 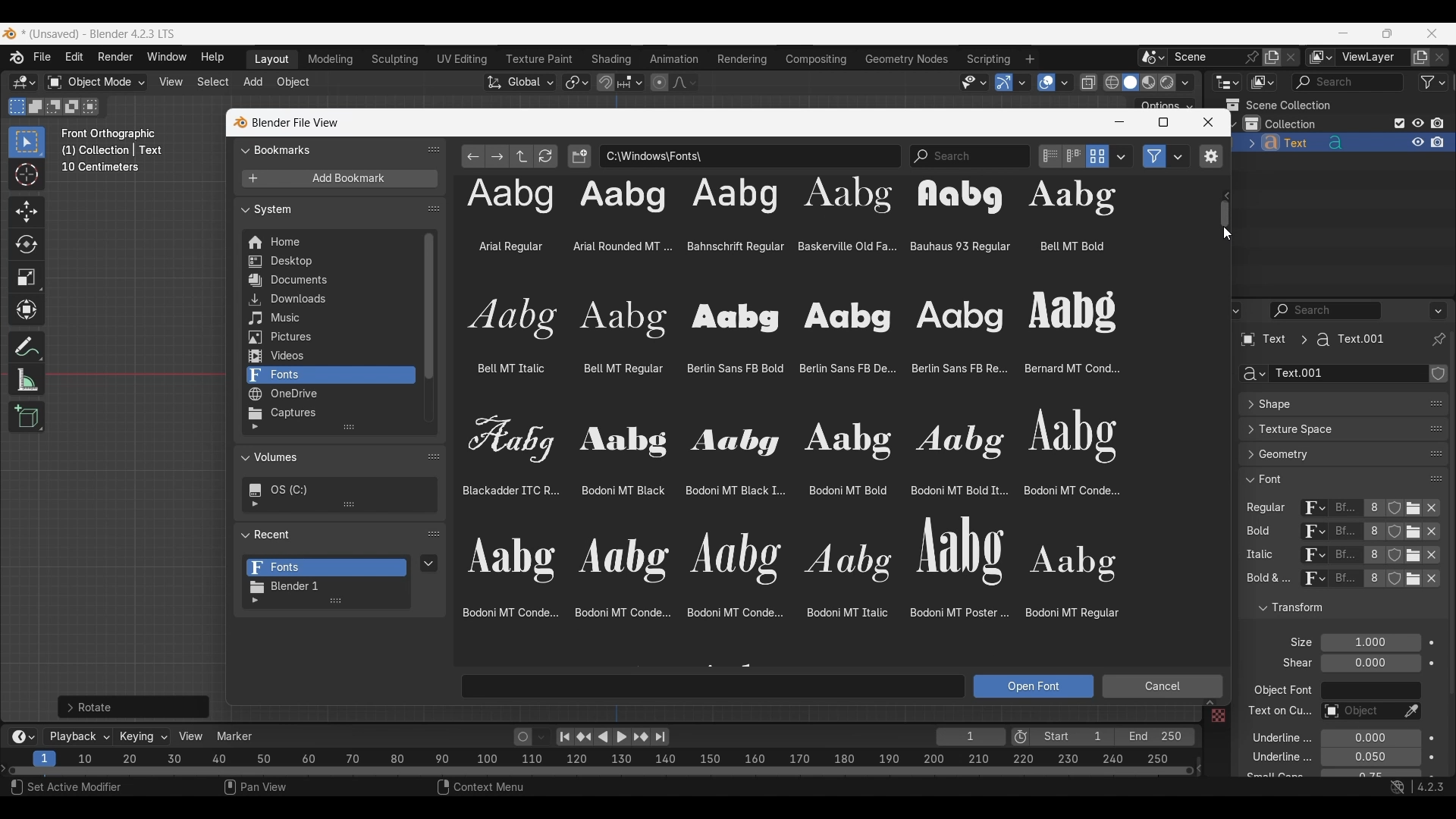 What do you see at coordinates (1112, 737) in the screenshot?
I see `Final frame of the playback rendering range` at bounding box center [1112, 737].